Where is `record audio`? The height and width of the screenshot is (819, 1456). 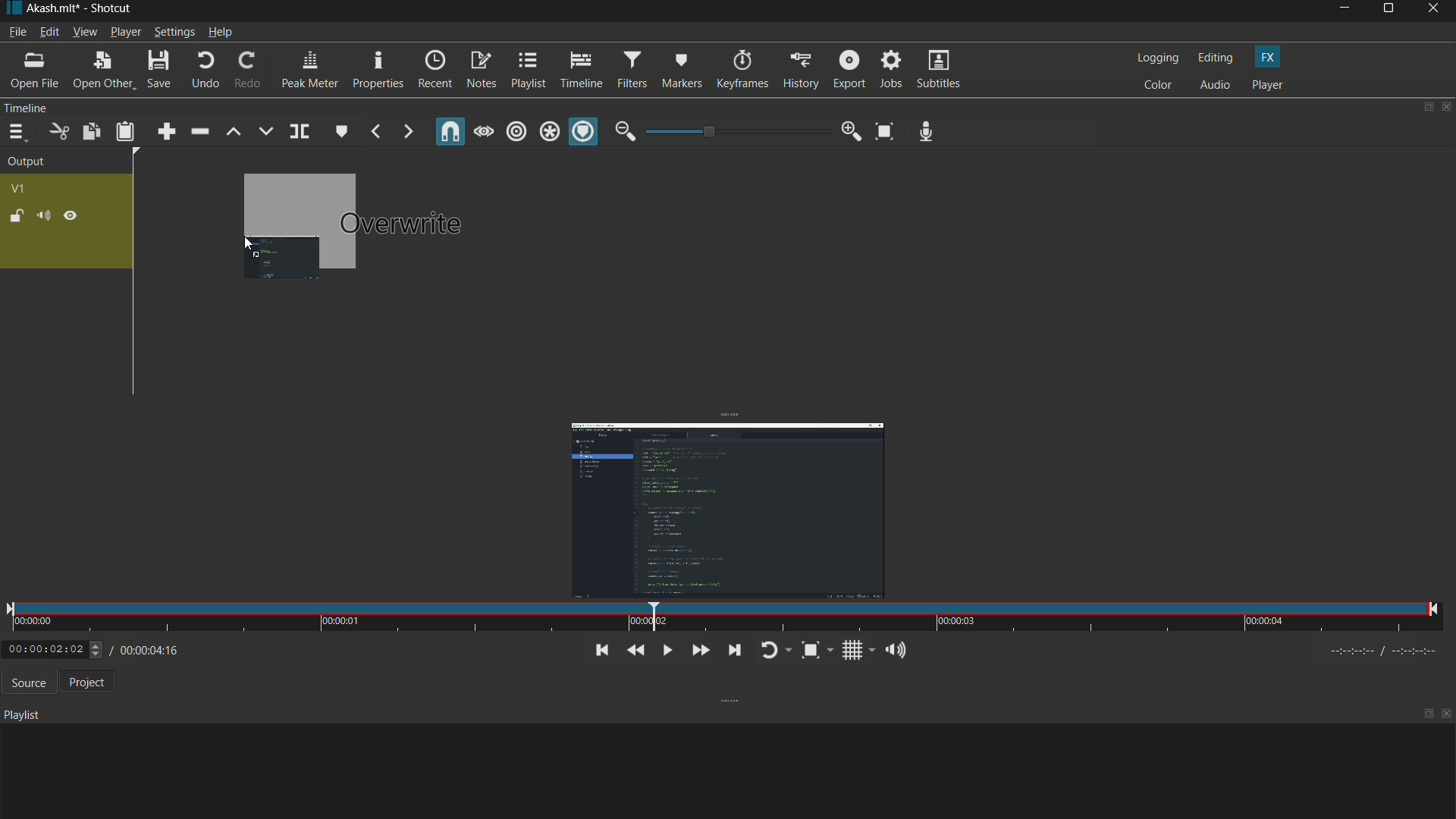
record audio is located at coordinates (927, 132).